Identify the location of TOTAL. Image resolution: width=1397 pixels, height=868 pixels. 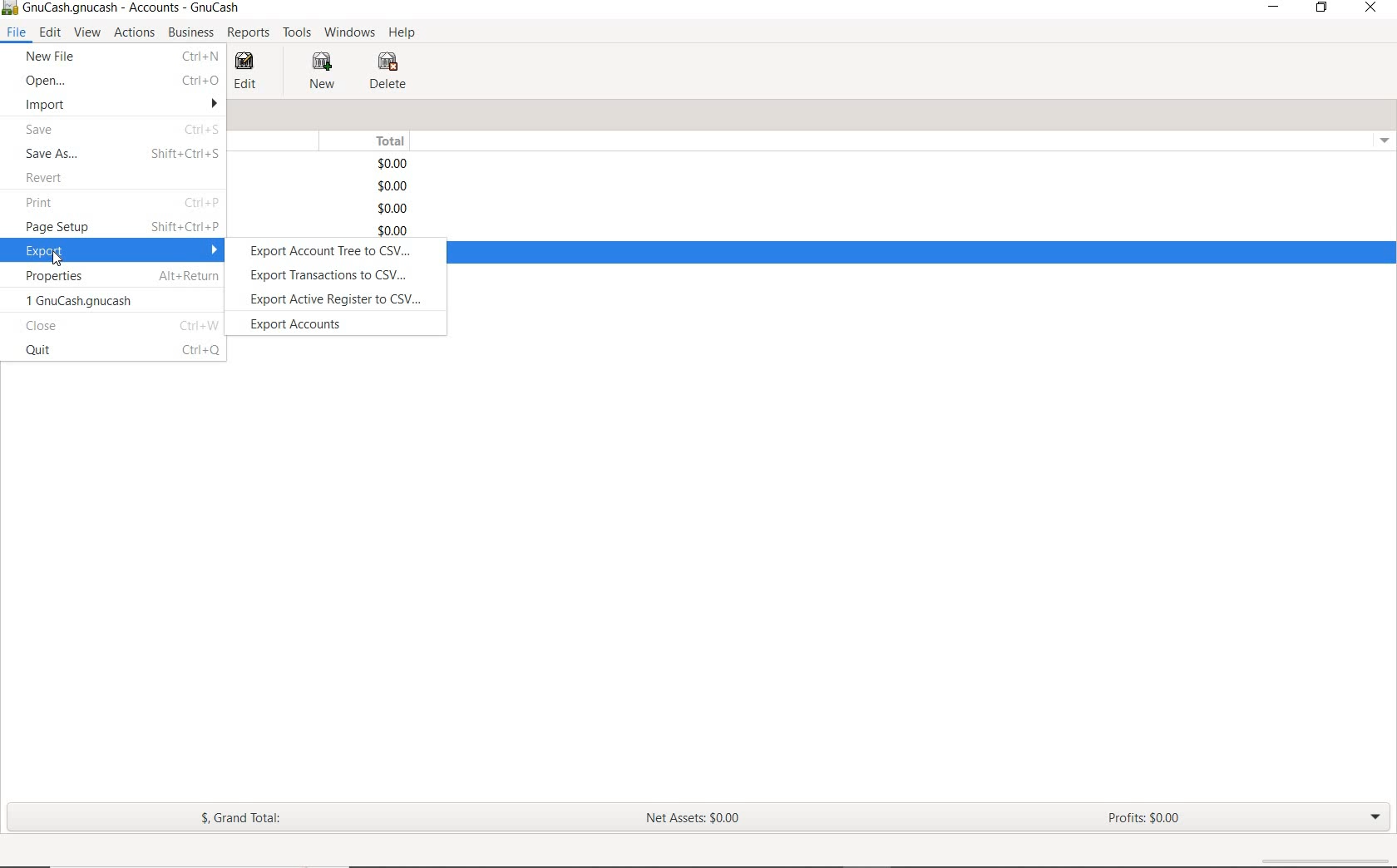
(393, 141).